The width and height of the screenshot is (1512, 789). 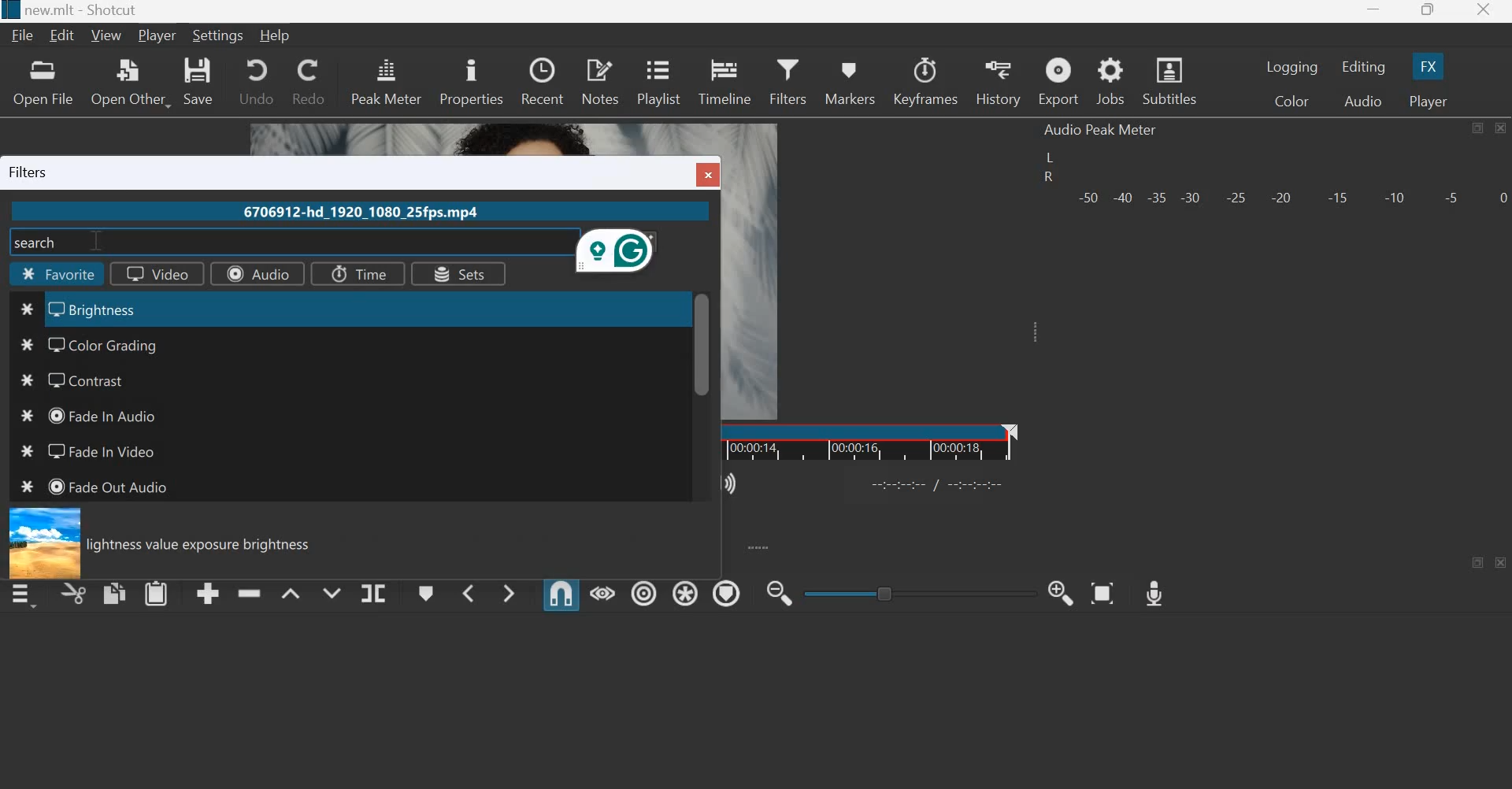 What do you see at coordinates (1426, 66) in the screenshot?
I see `FX` at bounding box center [1426, 66].